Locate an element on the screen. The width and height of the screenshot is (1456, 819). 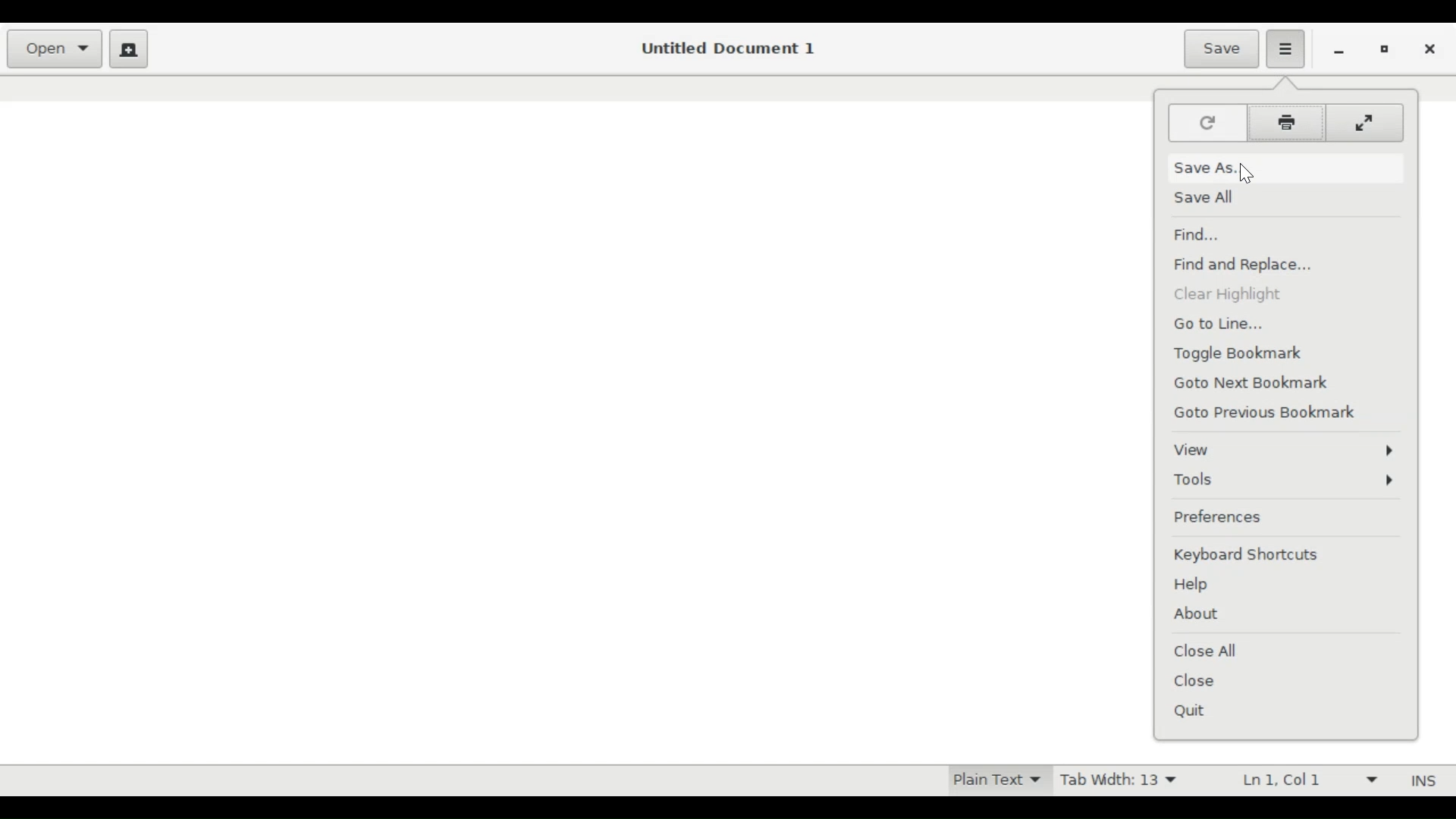
Quit is located at coordinates (1199, 712).